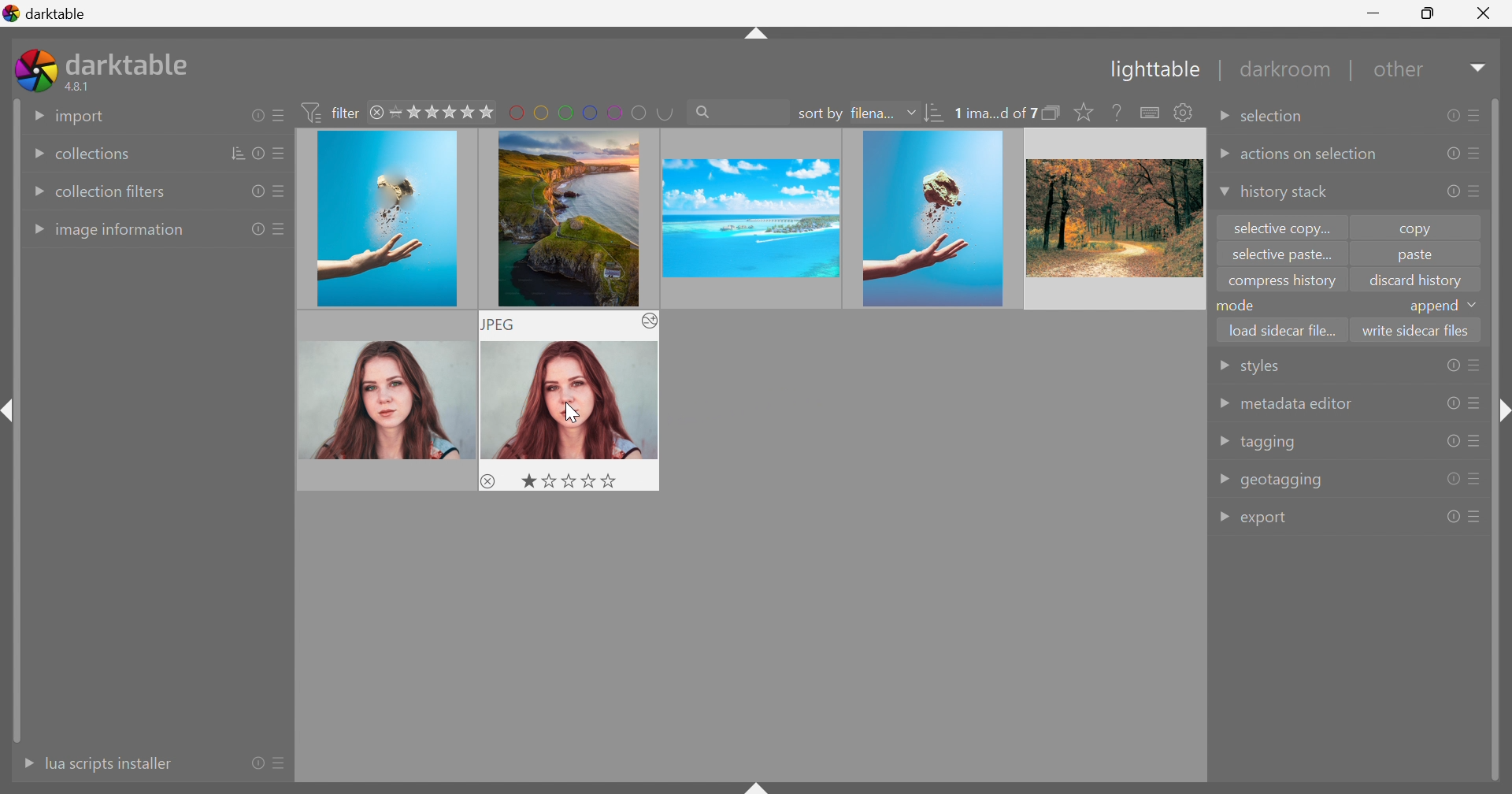  What do you see at coordinates (573, 415) in the screenshot?
I see `Cursor` at bounding box center [573, 415].